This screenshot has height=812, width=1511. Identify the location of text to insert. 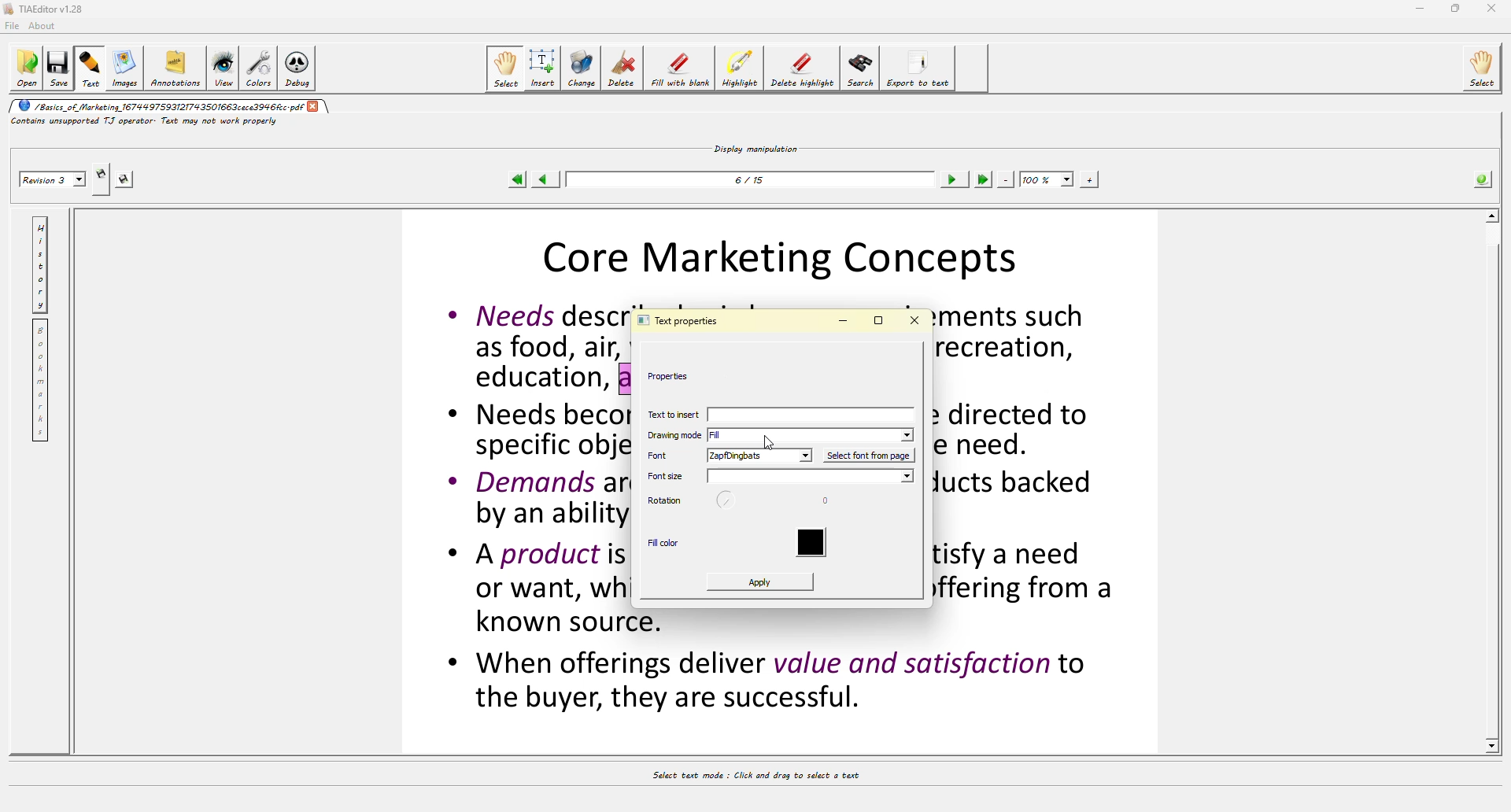
(672, 413).